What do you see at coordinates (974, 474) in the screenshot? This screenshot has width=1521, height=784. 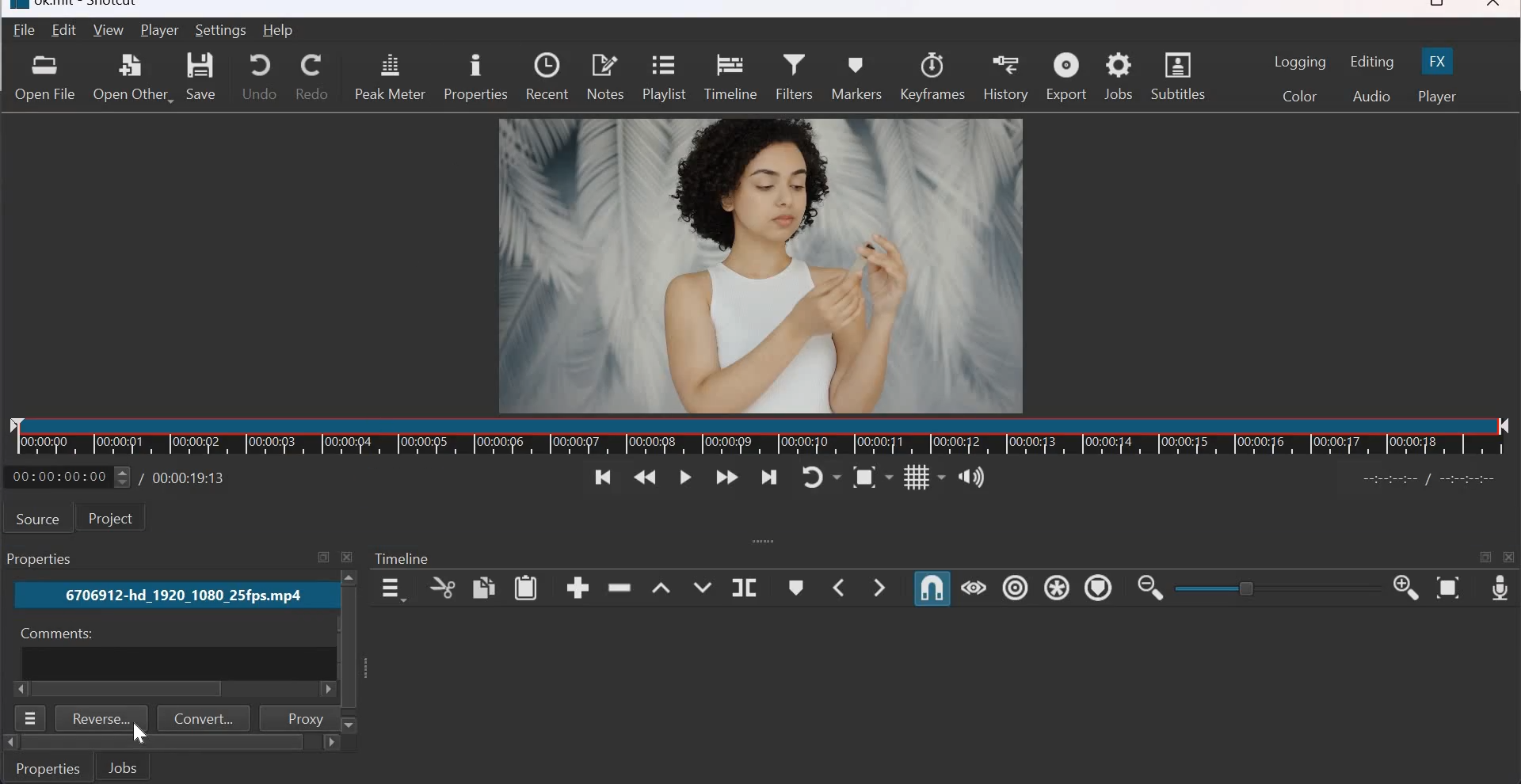 I see `Show the volume control` at bounding box center [974, 474].